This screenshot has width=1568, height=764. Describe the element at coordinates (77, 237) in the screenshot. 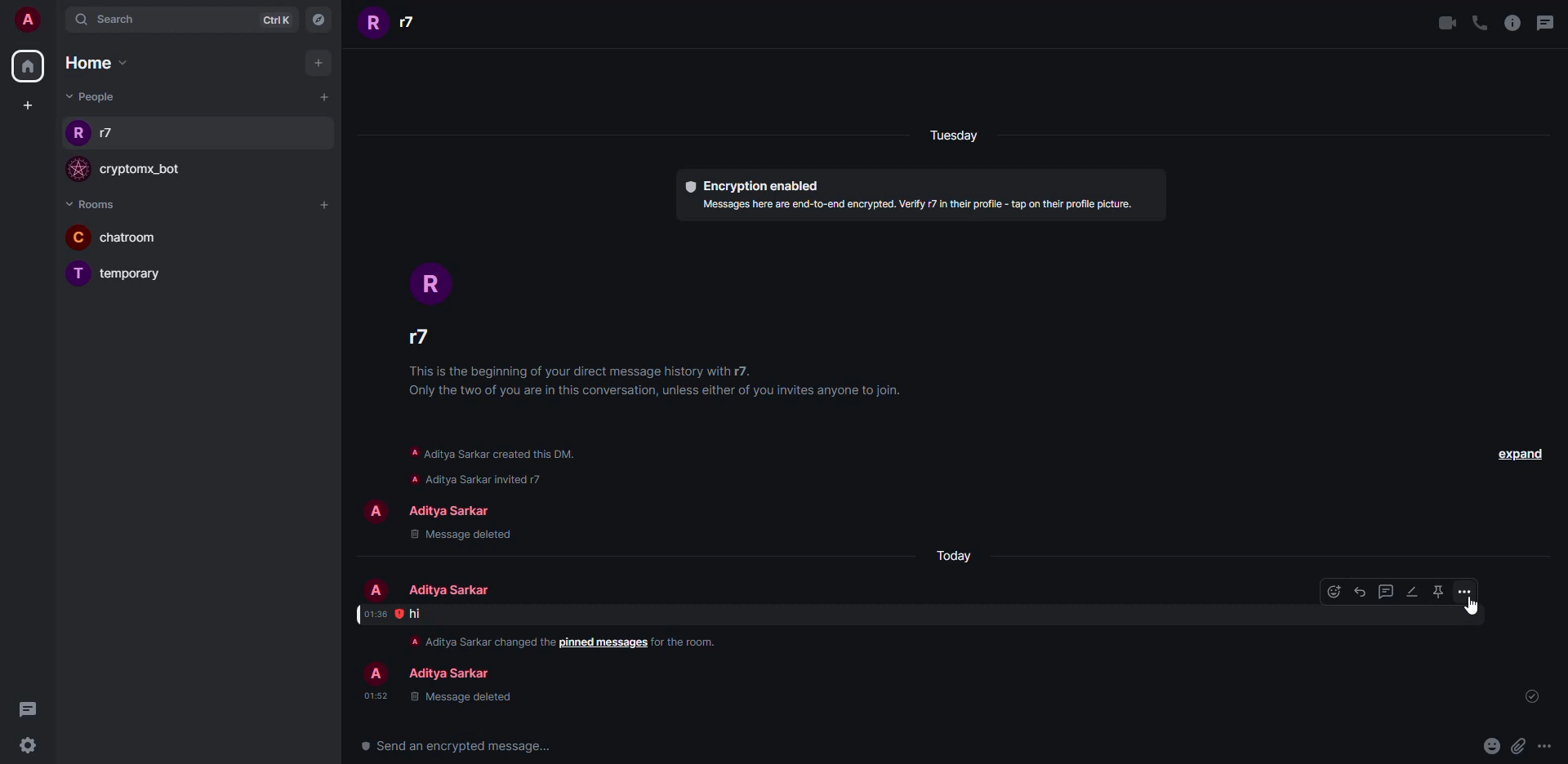

I see `profile` at that location.